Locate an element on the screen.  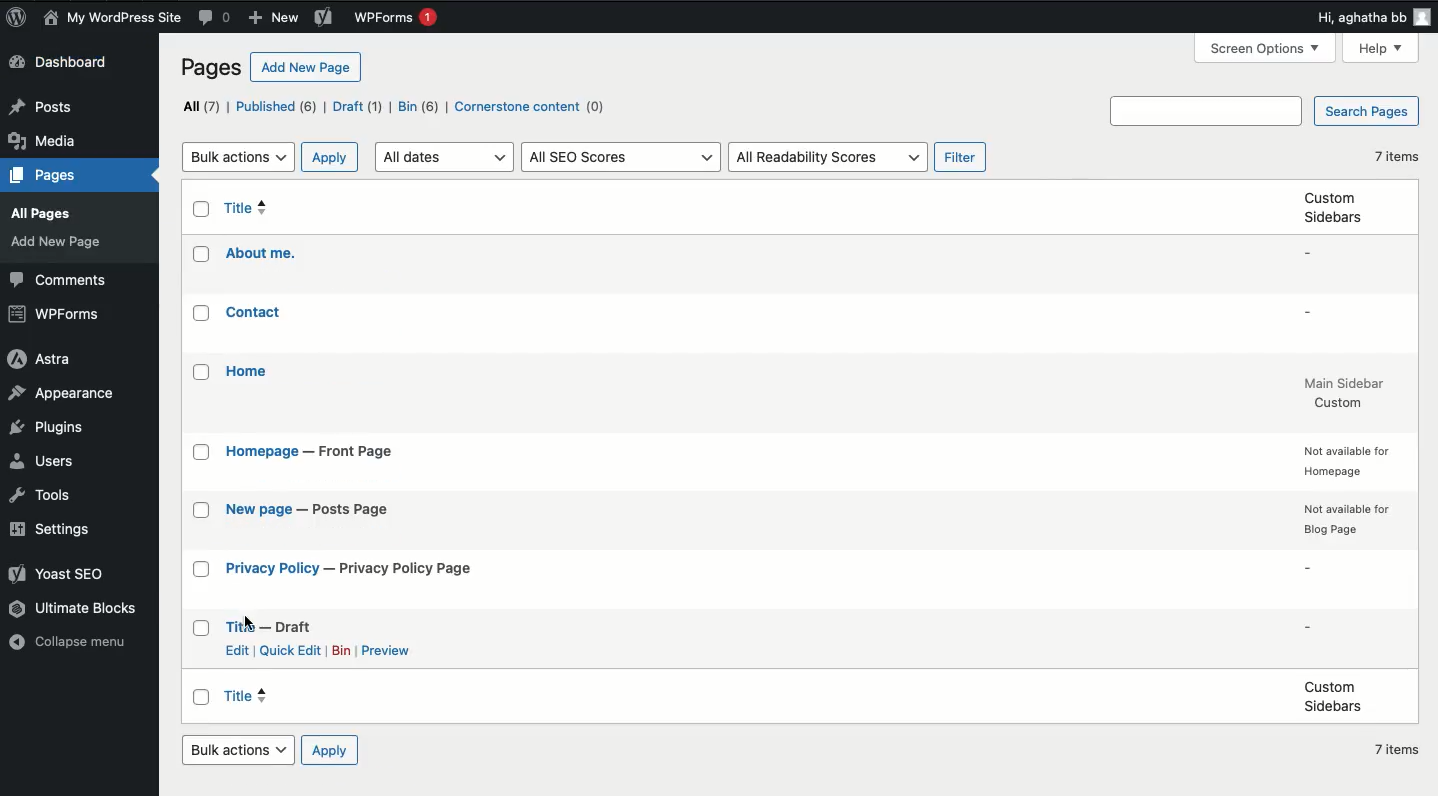
Posts is located at coordinates (39, 108).